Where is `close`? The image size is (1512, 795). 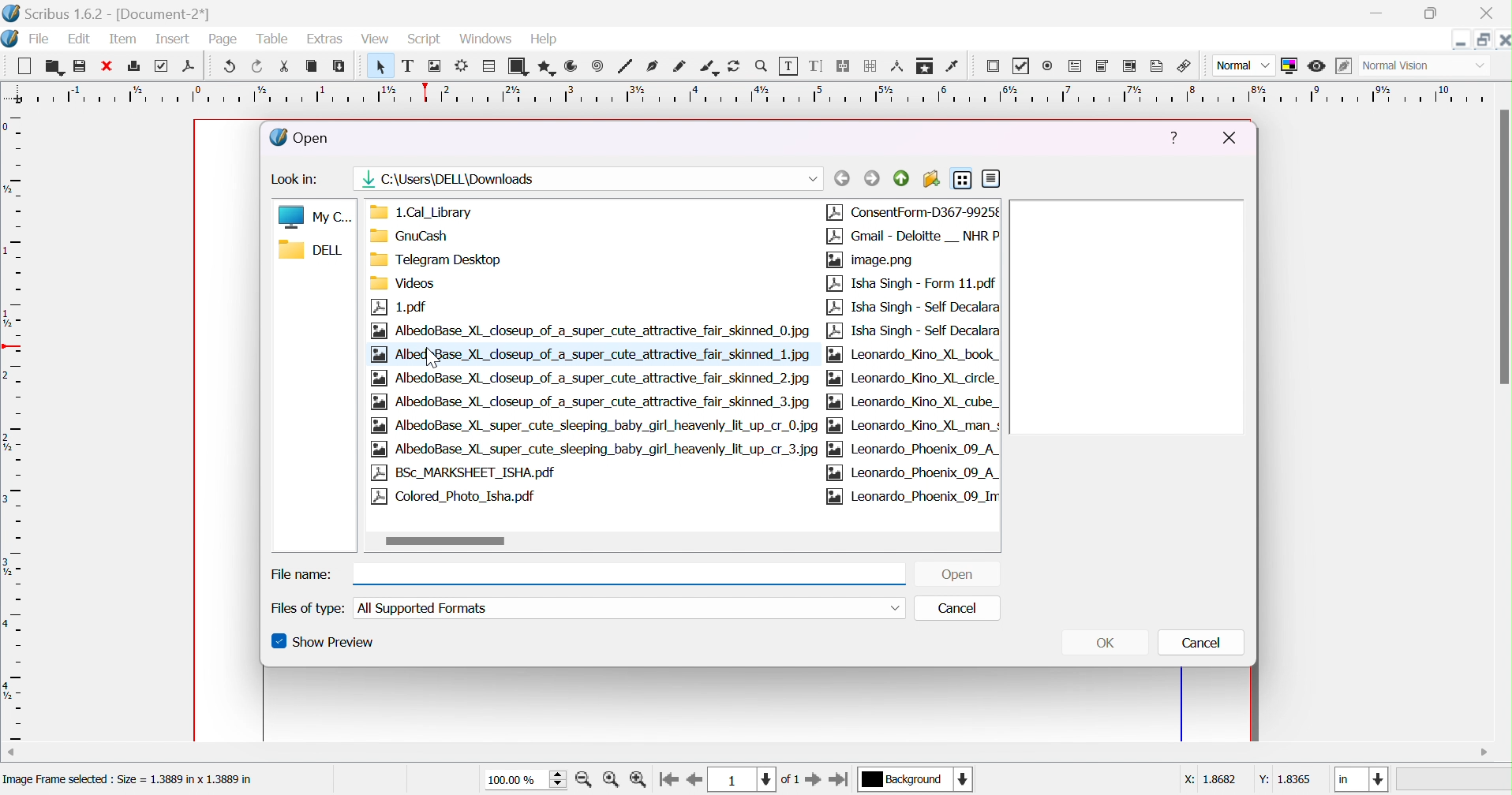
close is located at coordinates (105, 66).